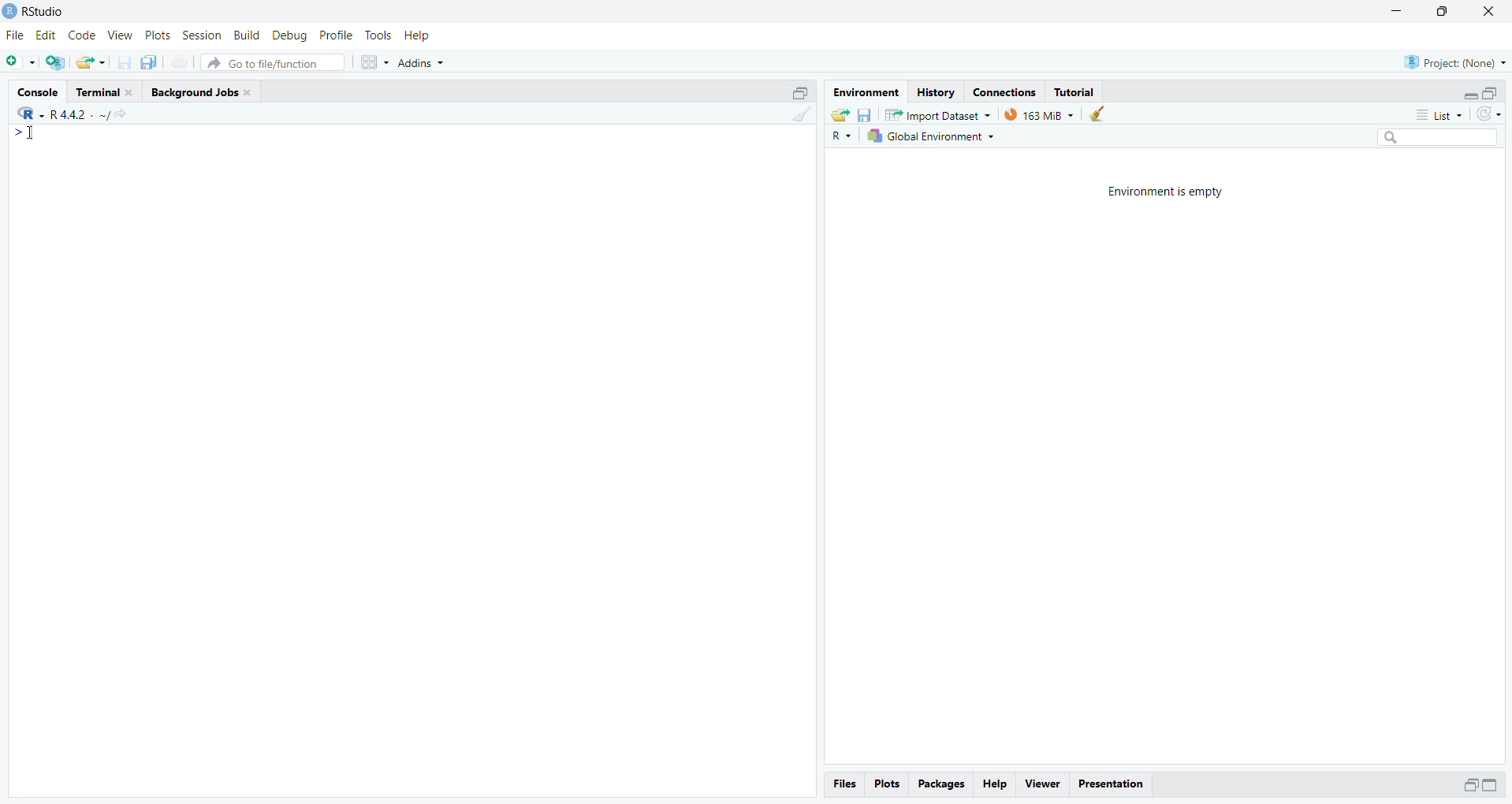  Describe the element at coordinates (944, 784) in the screenshot. I see `Packages` at that location.